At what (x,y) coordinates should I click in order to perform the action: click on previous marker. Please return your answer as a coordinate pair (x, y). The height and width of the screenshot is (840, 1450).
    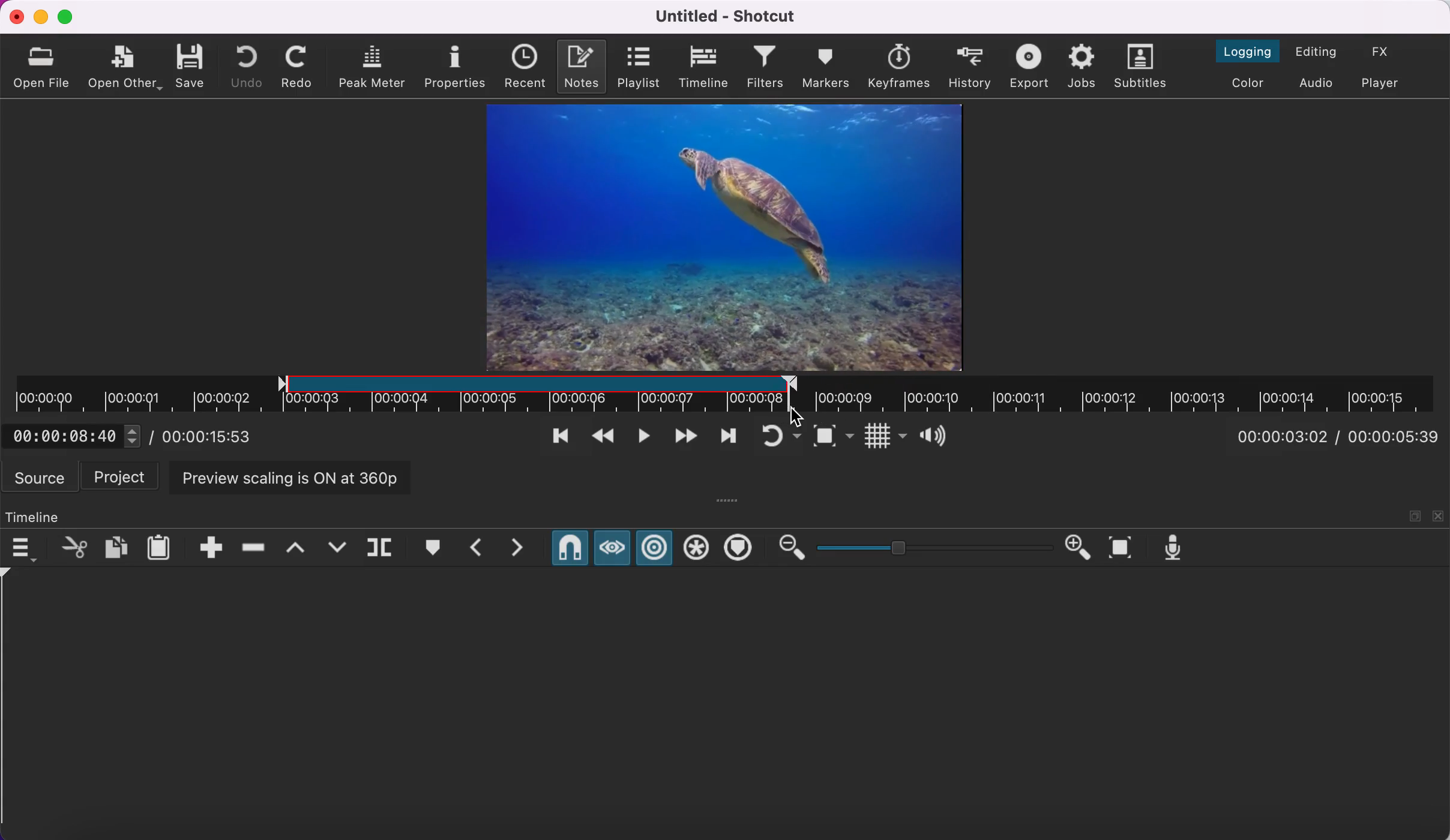
    Looking at the image, I should click on (476, 547).